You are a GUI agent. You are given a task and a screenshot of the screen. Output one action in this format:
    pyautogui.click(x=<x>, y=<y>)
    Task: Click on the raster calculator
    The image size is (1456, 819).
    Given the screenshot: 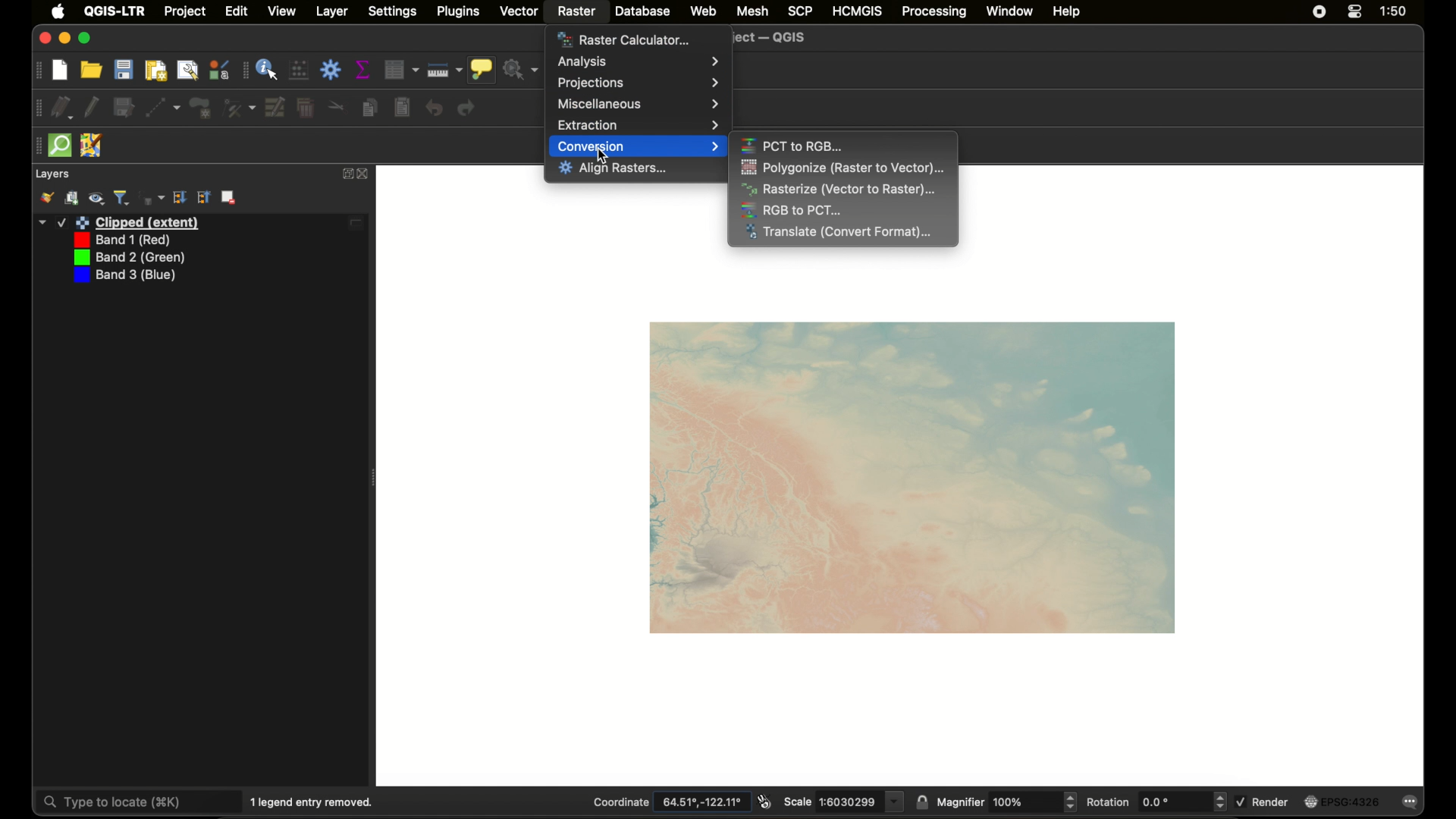 What is the action you would take?
    pyautogui.click(x=623, y=39)
    